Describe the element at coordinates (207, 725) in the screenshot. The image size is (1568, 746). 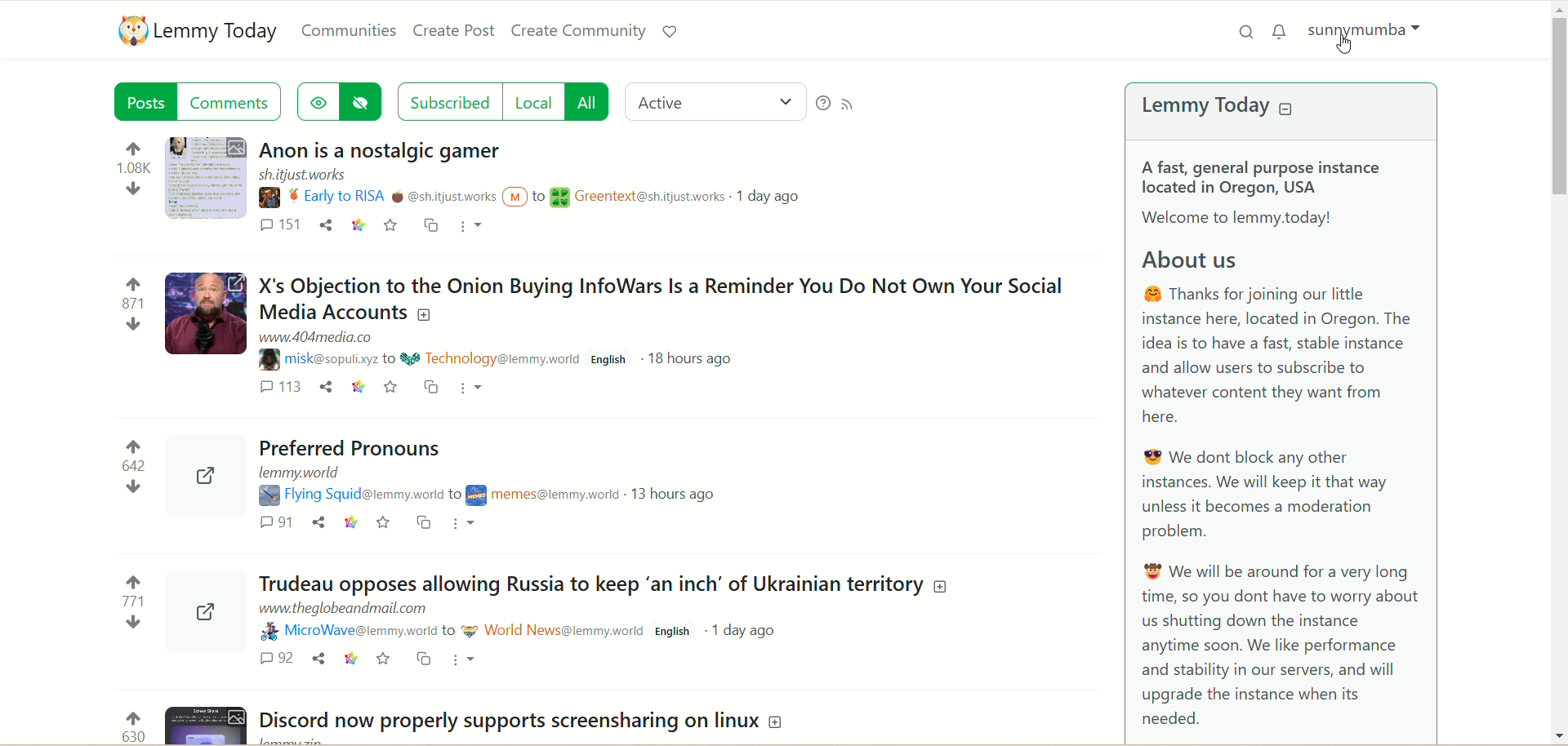
I see `Image of the post that can be expanded` at that location.